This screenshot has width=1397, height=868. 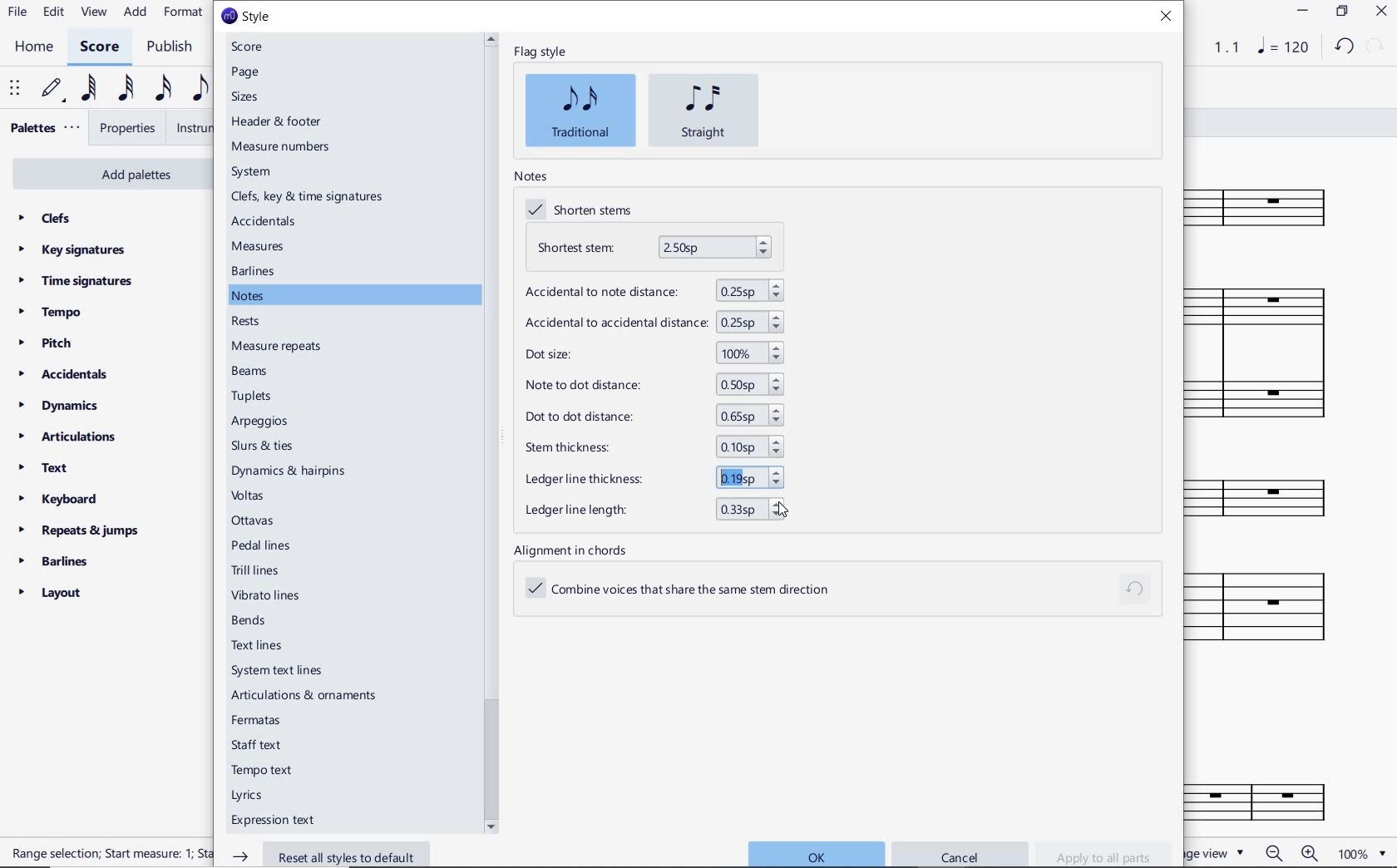 I want to click on score, so click(x=248, y=47).